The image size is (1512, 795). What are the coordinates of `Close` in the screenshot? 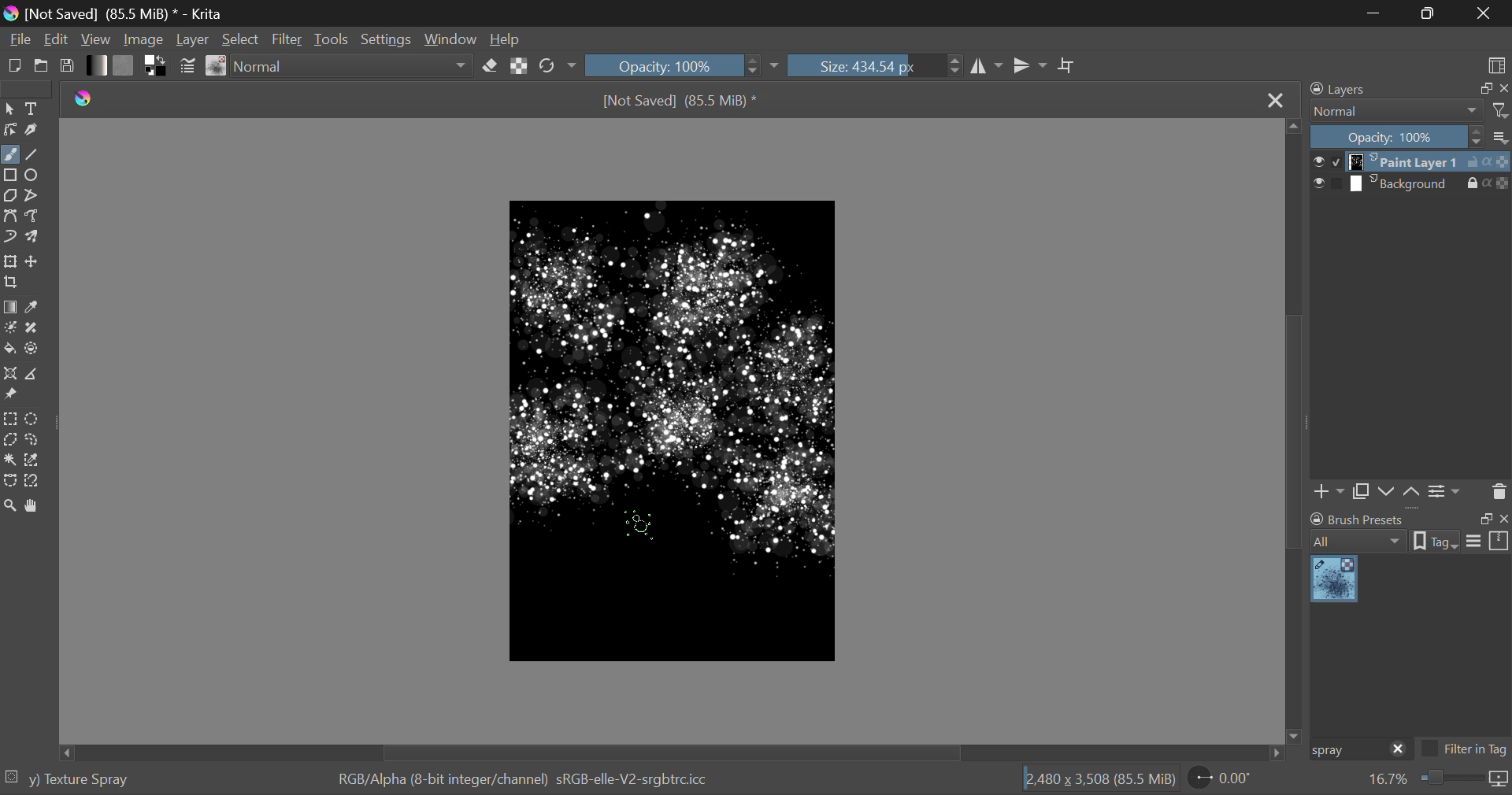 It's located at (1484, 13).